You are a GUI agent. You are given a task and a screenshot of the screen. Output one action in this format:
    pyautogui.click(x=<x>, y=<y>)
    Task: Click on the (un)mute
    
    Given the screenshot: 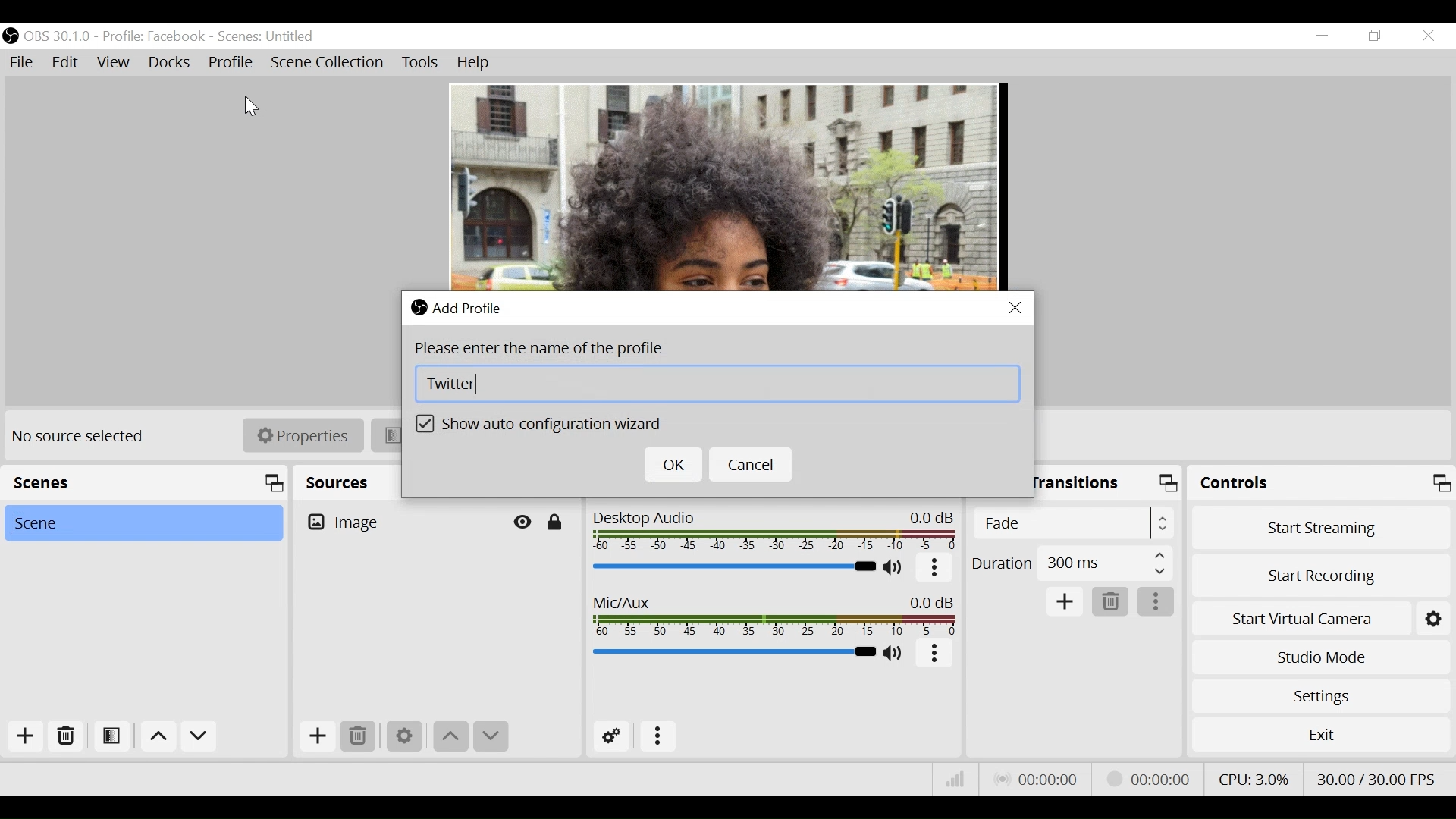 What is the action you would take?
    pyautogui.click(x=895, y=569)
    